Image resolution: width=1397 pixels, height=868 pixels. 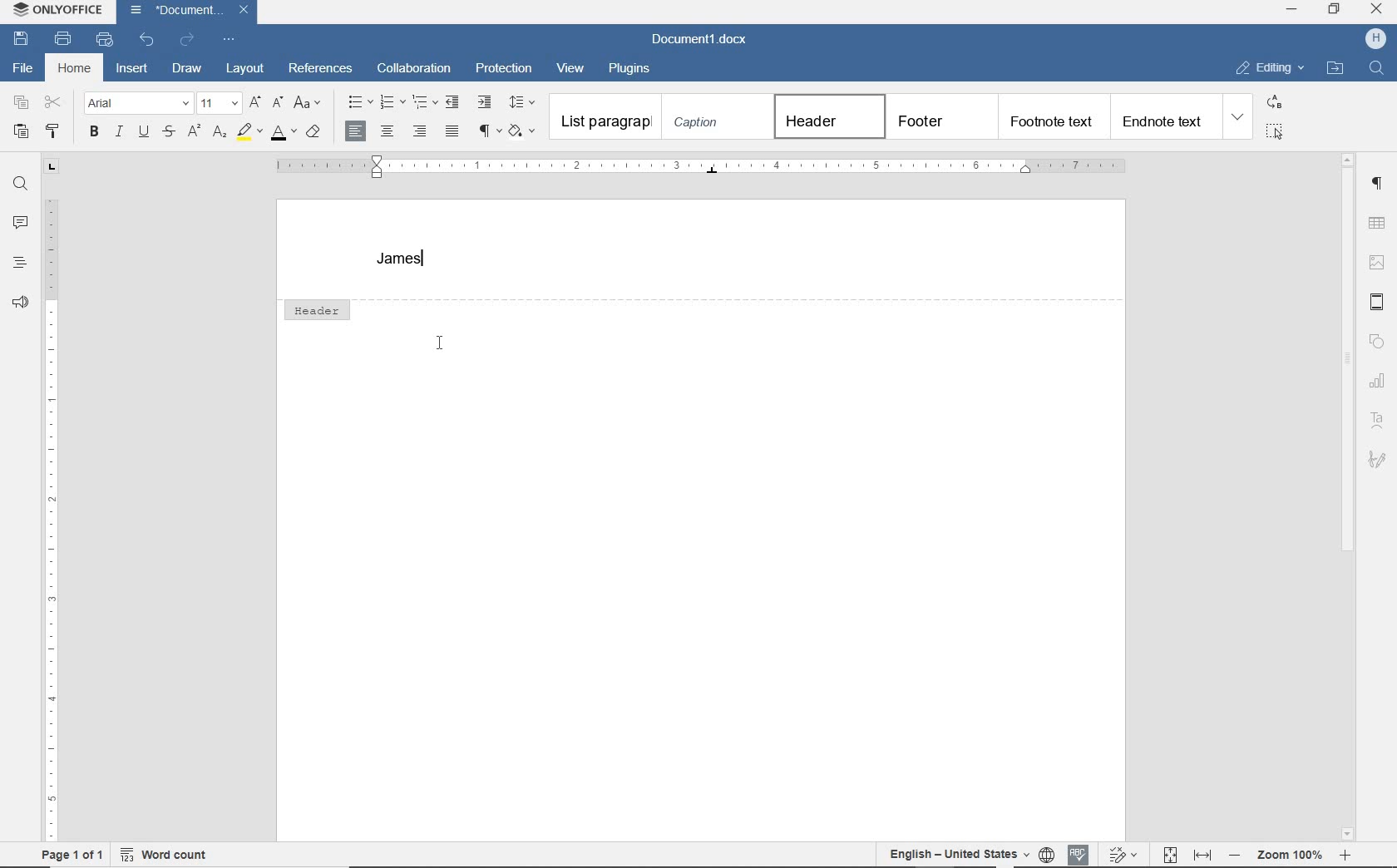 I want to click on Increase , so click(x=1345, y=855).